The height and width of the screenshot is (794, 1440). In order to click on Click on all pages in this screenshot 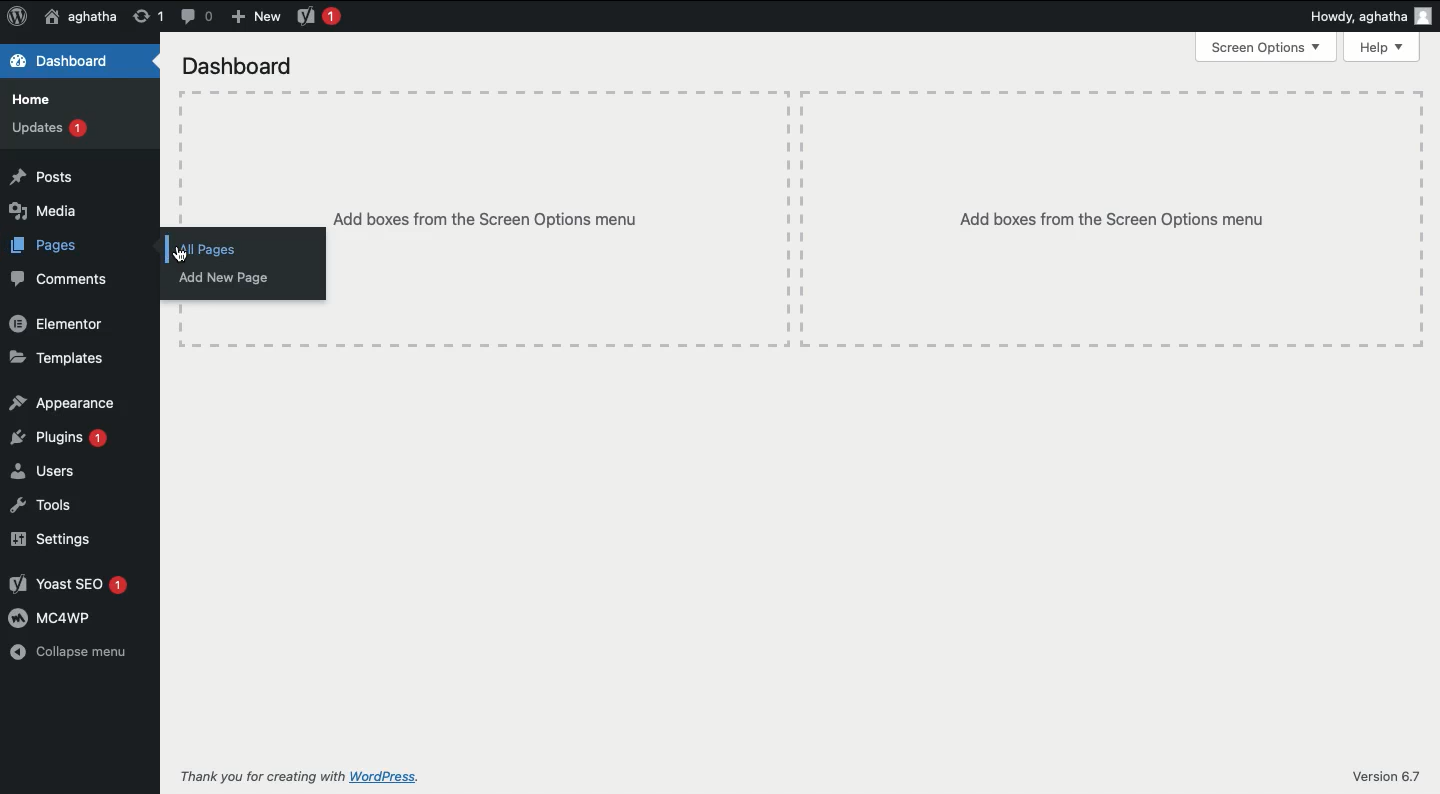, I will do `click(216, 250)`.